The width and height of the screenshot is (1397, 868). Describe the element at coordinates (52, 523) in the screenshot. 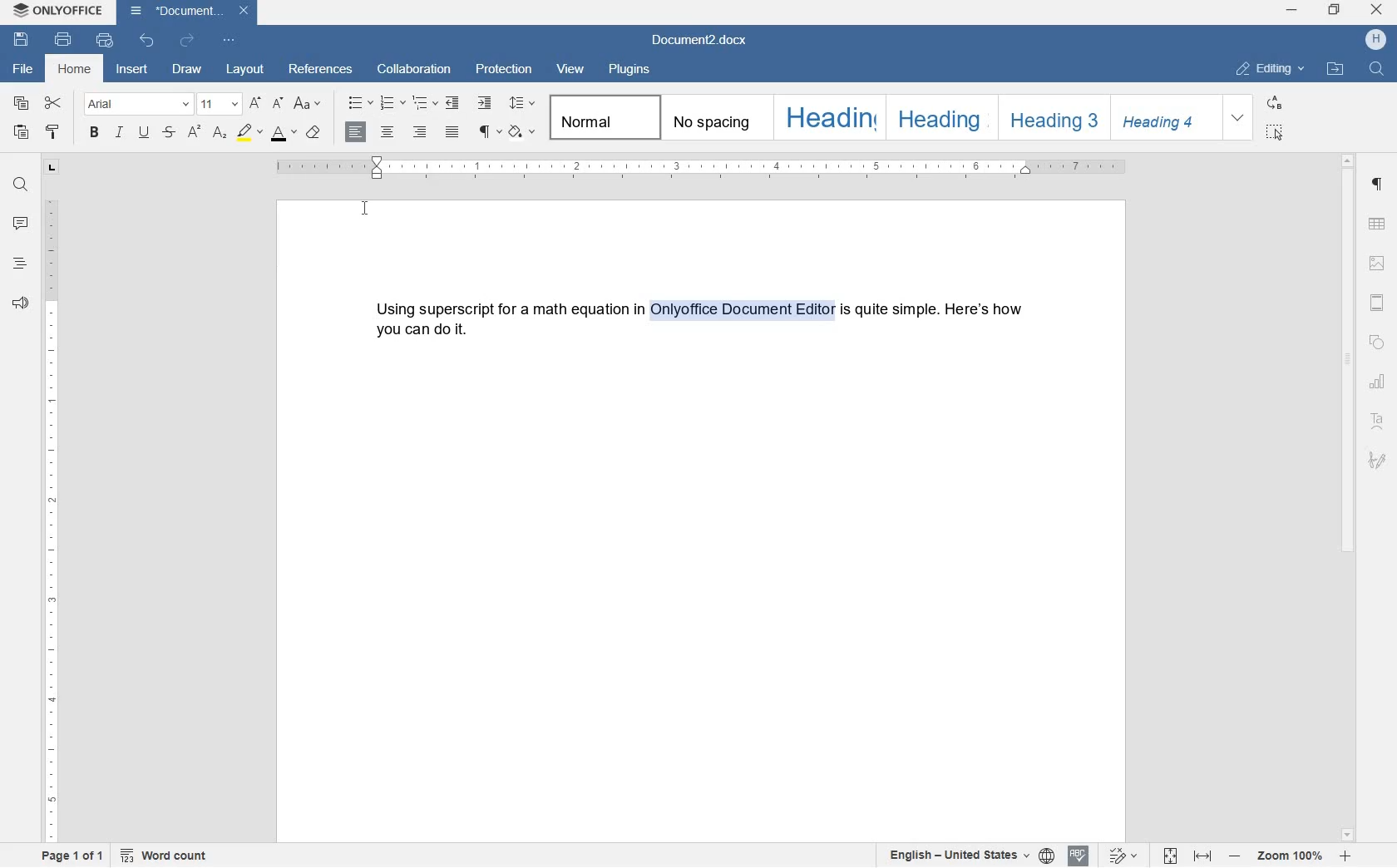

I see `ruler` at that location.